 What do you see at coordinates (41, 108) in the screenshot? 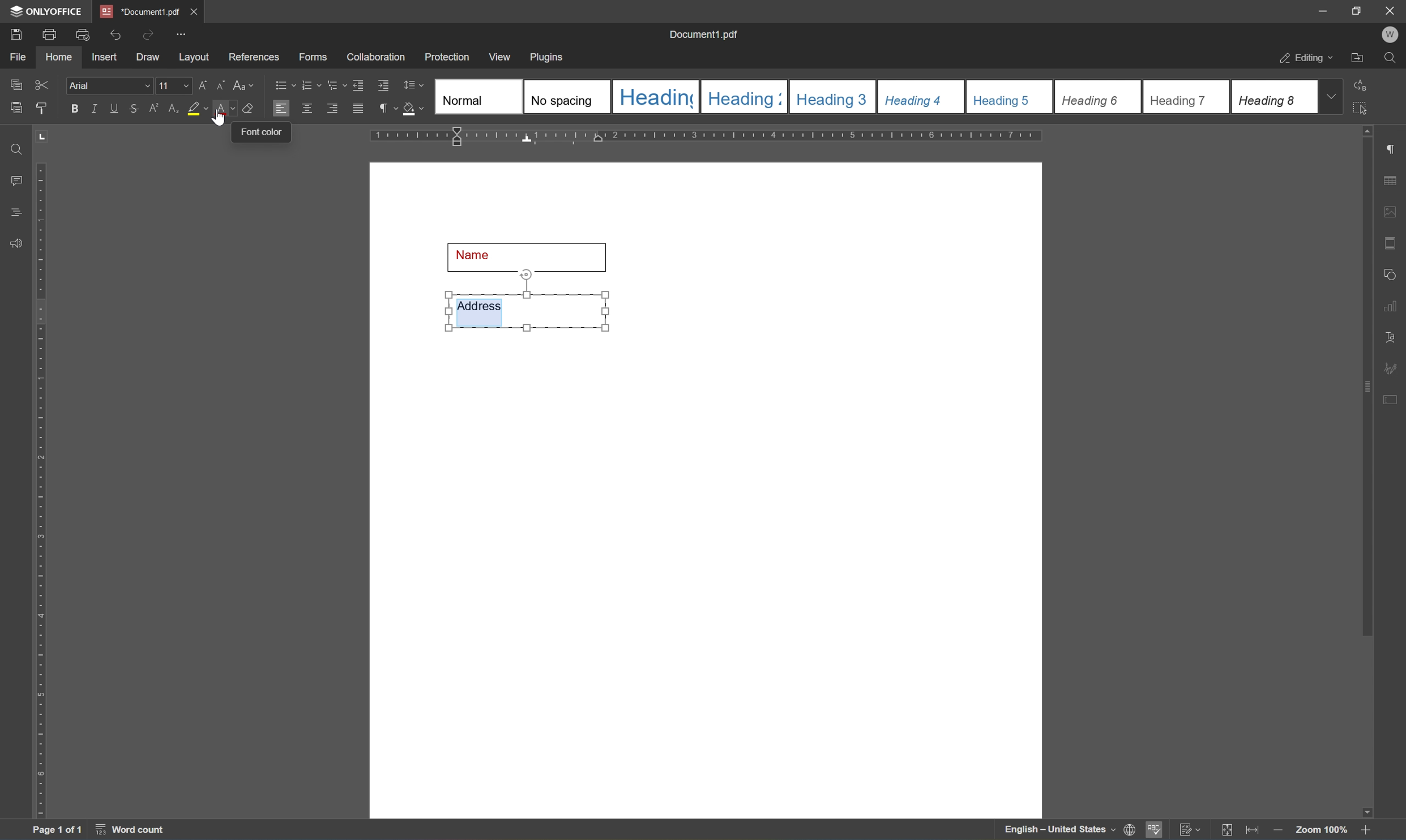
I see `copy style` at bounding box center [41, 108].